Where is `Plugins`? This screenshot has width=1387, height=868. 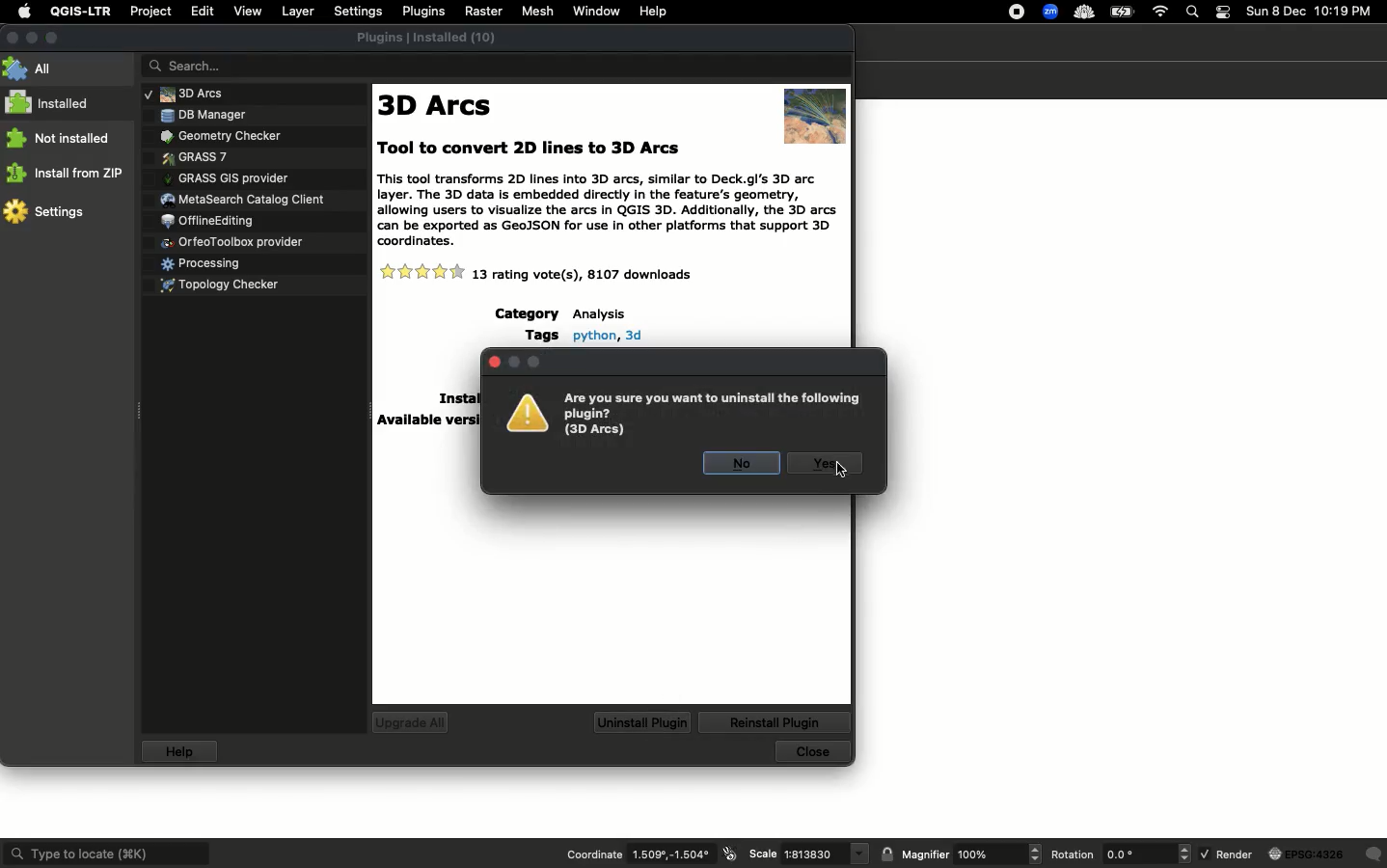 Plugins is located at coordinates (204, 260).